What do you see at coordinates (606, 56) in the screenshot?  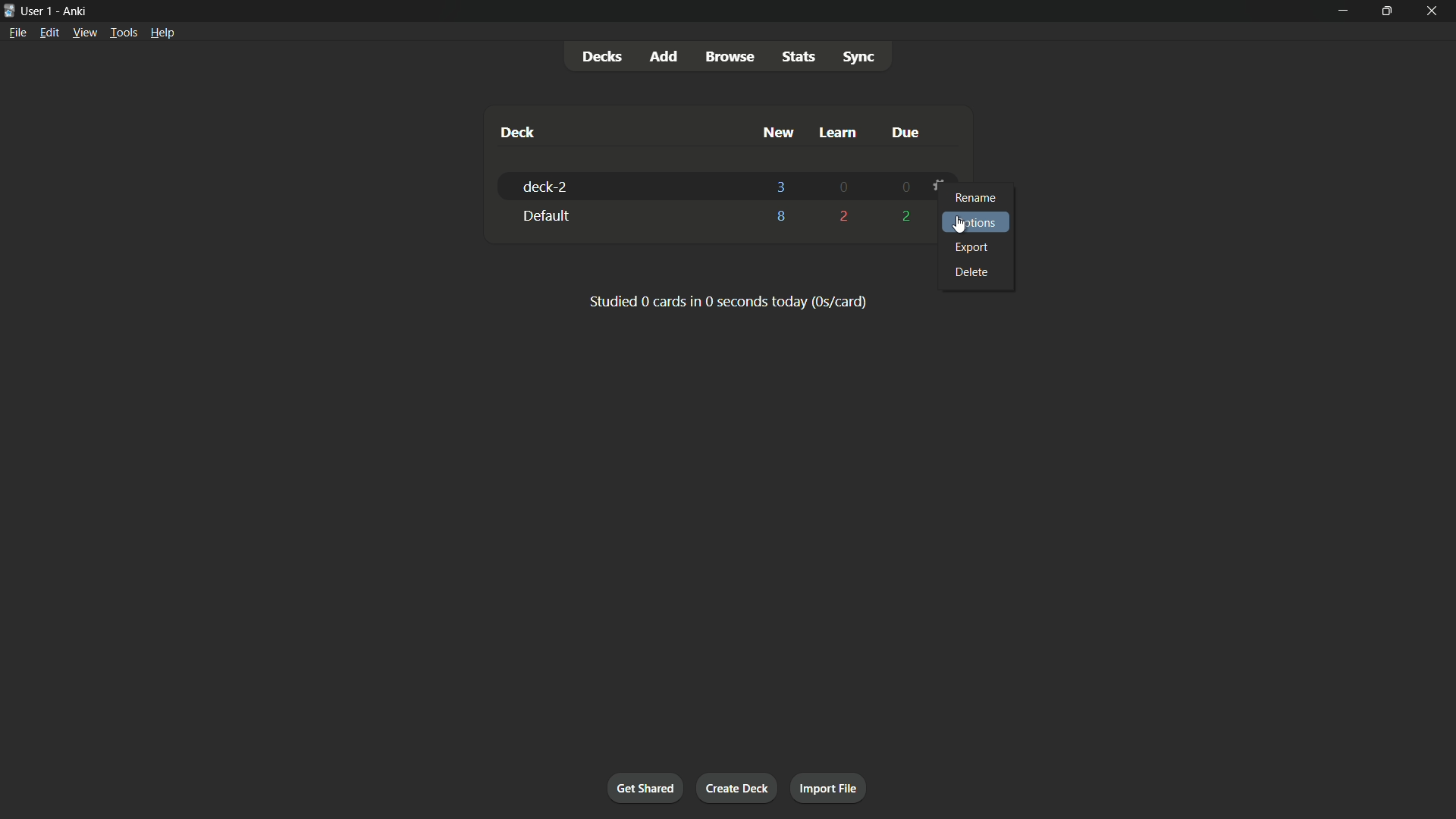 I see `decks` at bounding box center [606, 56].